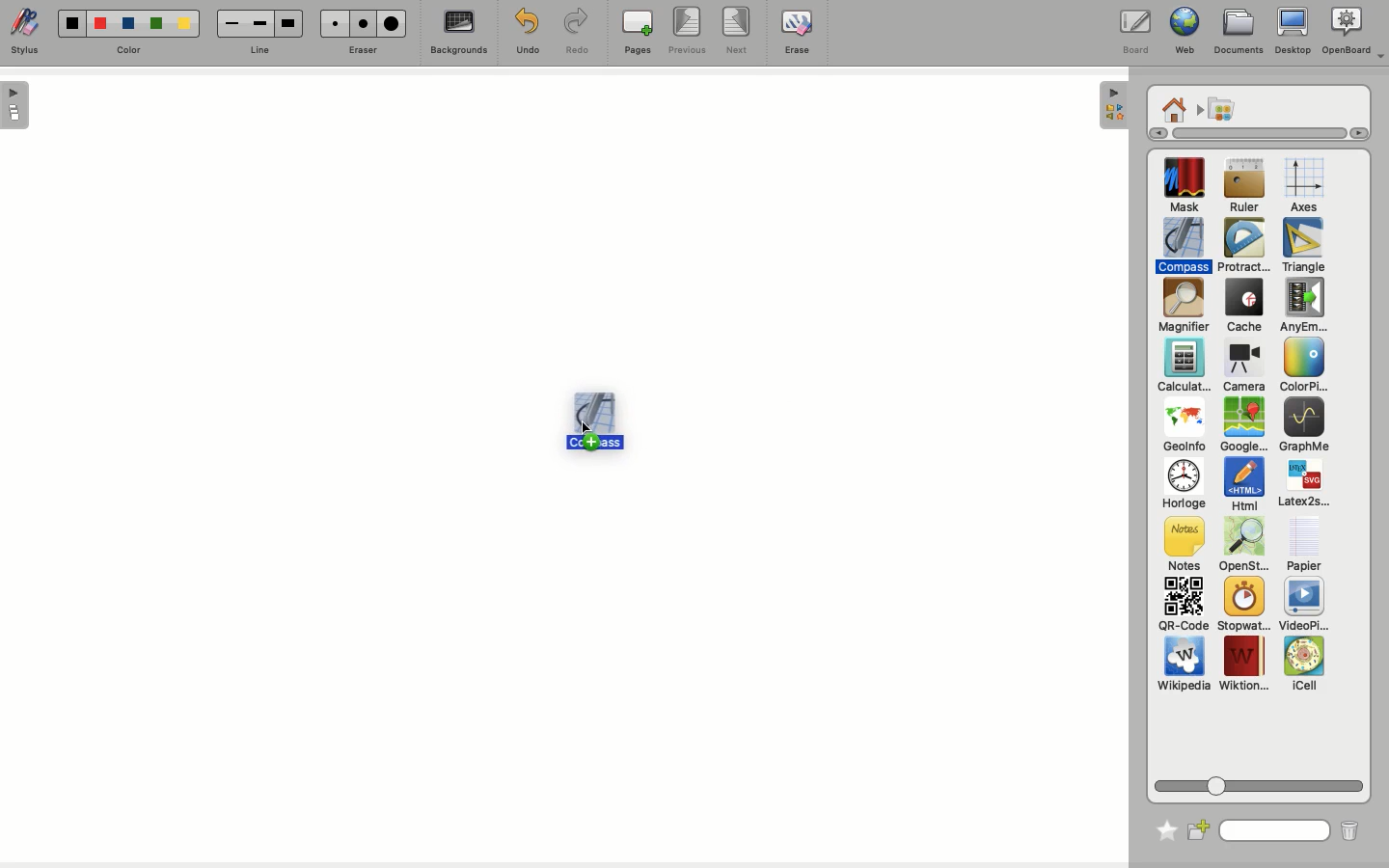 The image size is (1389, 868). I want to click on Calculator, so click(1184, 366).